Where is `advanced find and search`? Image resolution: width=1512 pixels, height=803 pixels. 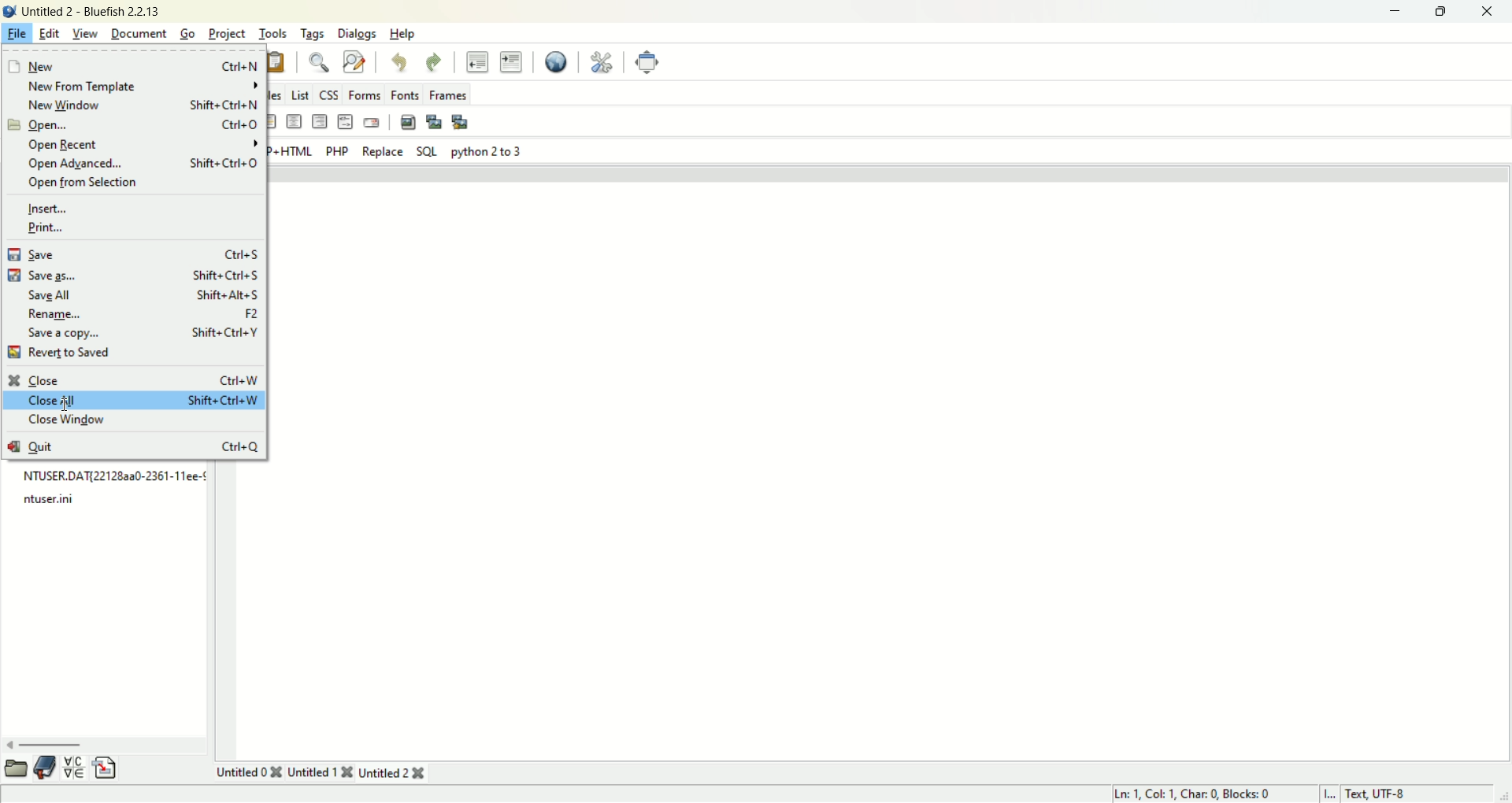
advanced find and search is located at coordinates (354, 61).